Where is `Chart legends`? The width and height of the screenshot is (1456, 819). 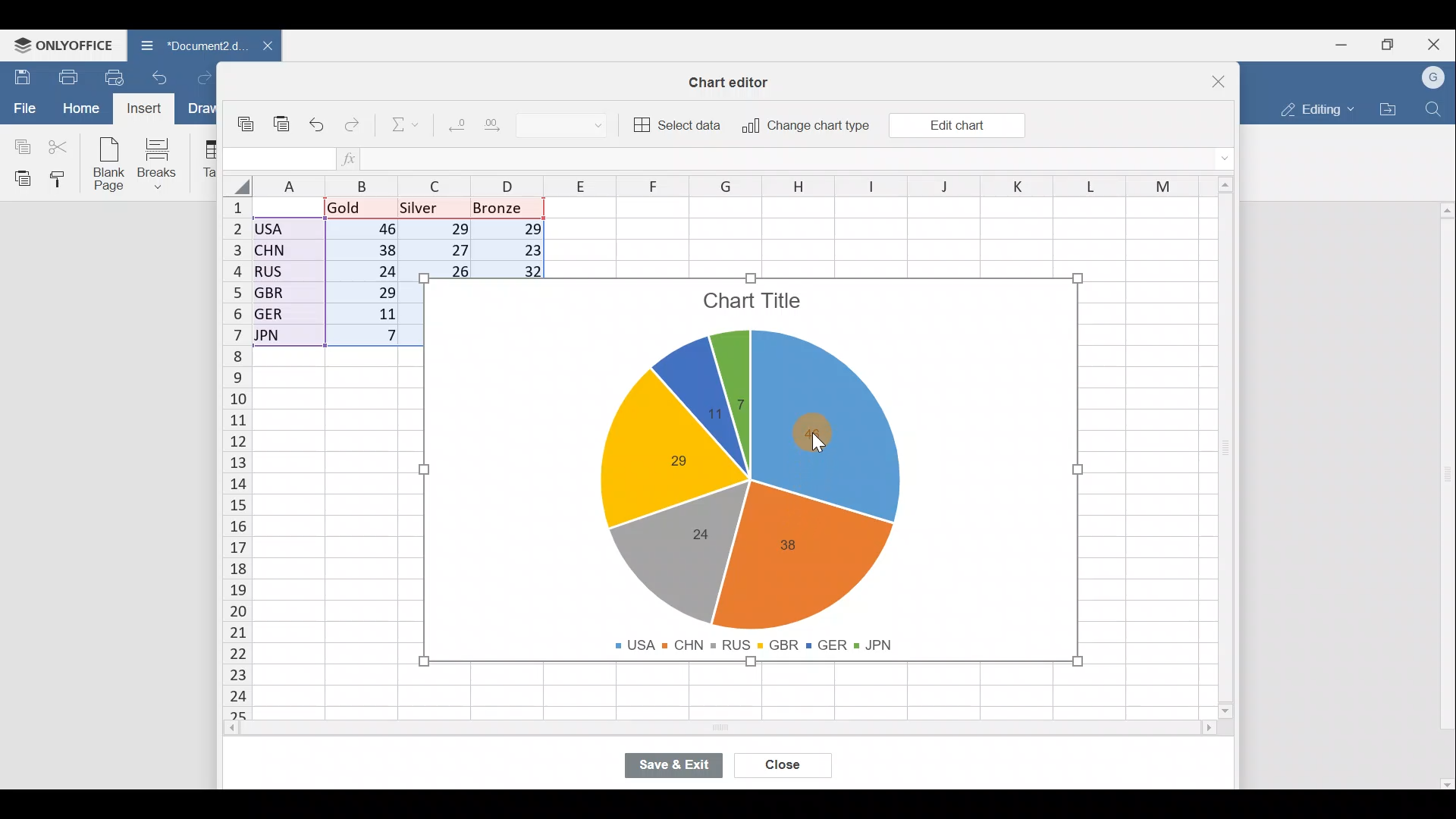
Chart legends is located at coordinates (761, 642).